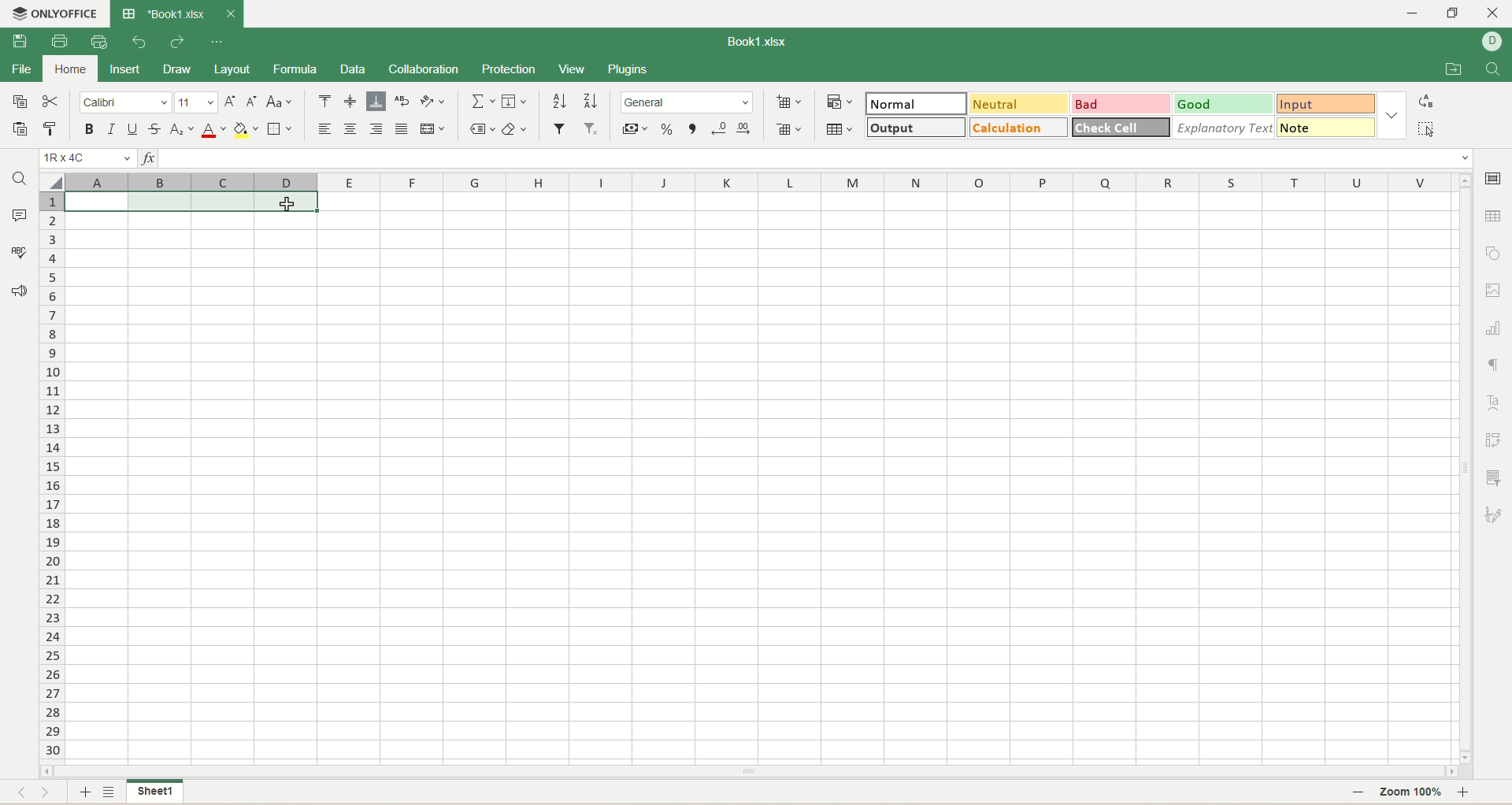  Describe the element at coordinates (286, 206) in the screenshot. I see `cursor` at that location.